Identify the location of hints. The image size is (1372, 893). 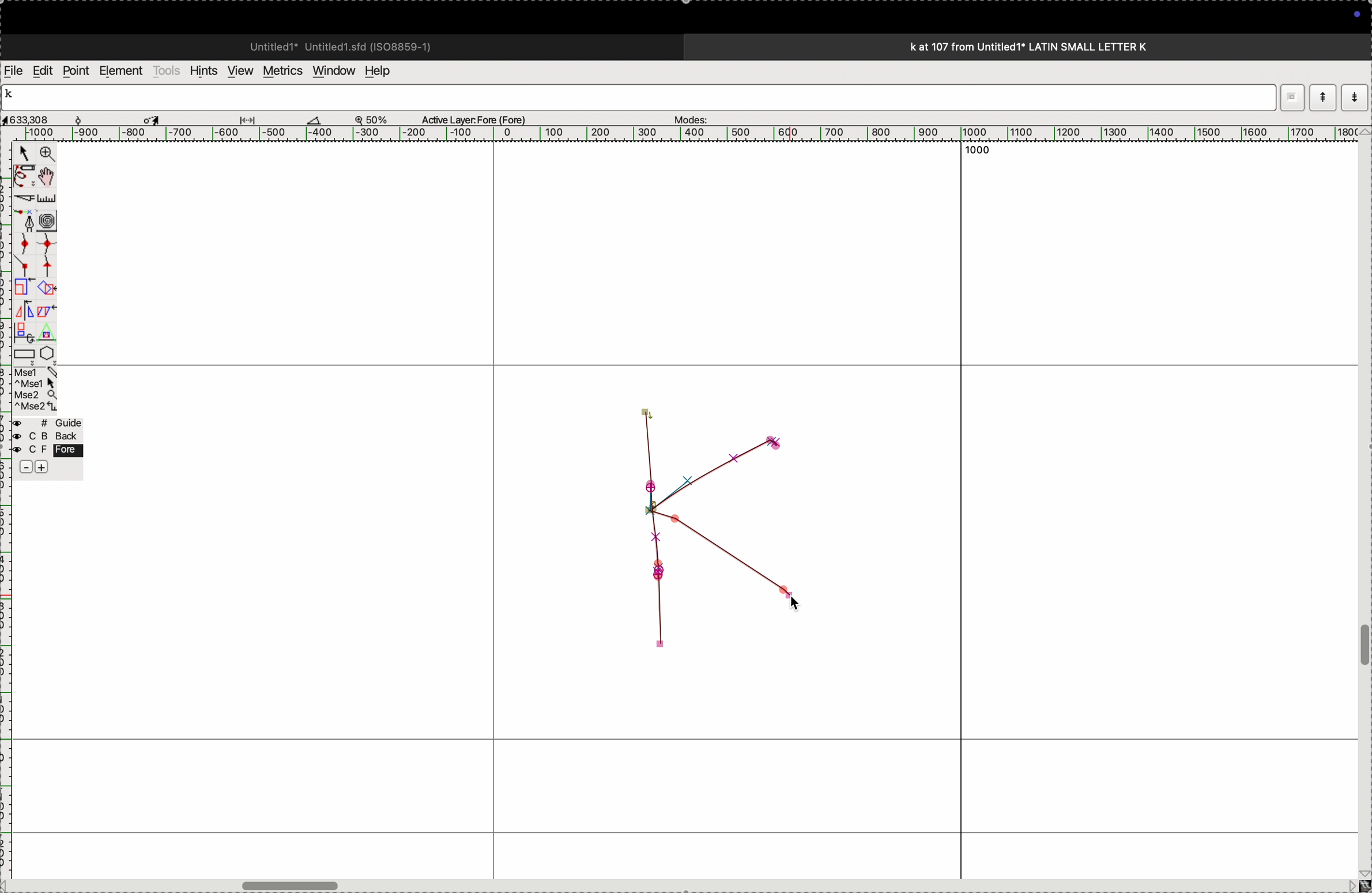
(201, 70).